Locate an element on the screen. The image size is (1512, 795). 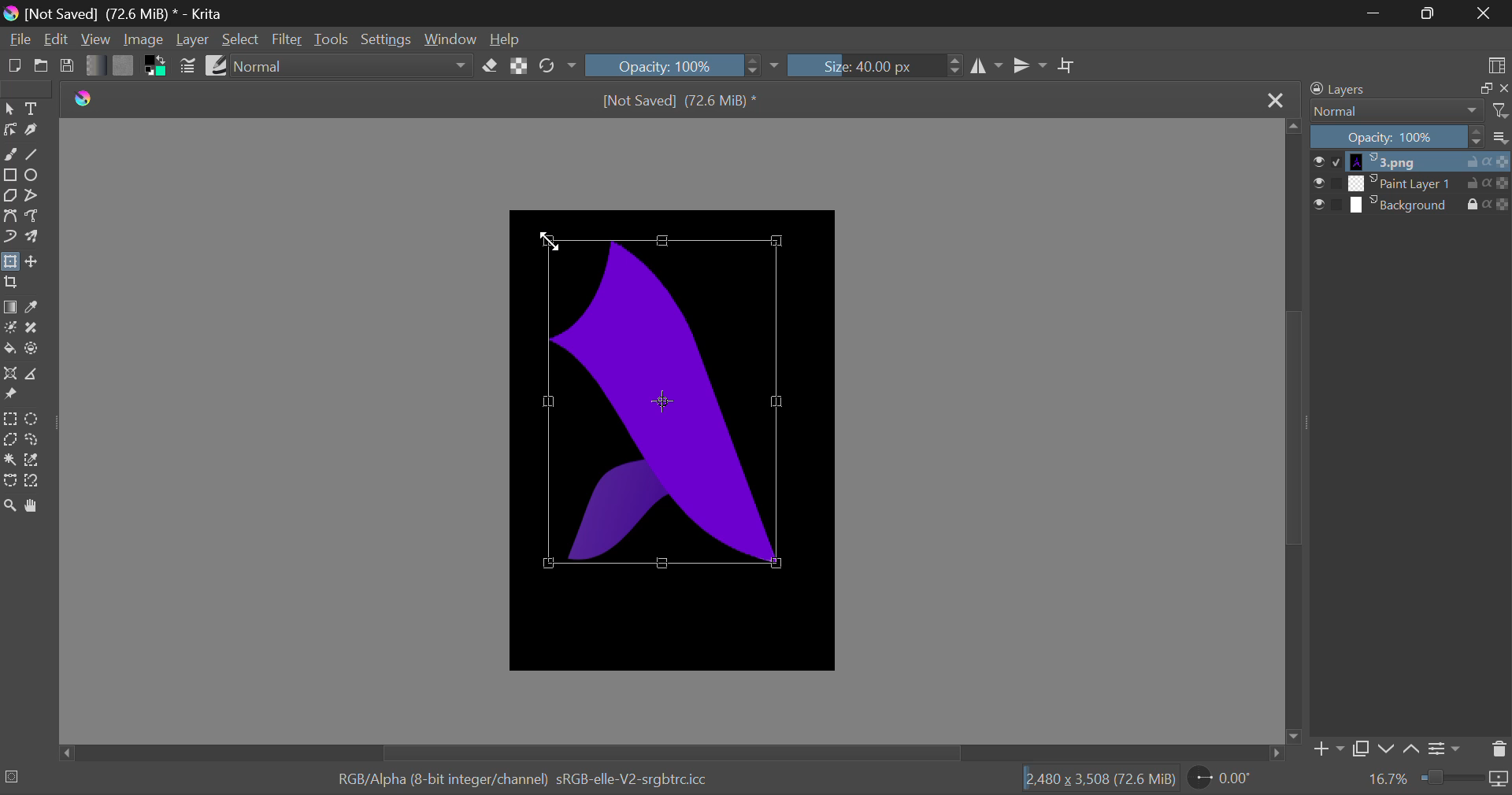
Restore Down is located at coordinates (1376, 14).